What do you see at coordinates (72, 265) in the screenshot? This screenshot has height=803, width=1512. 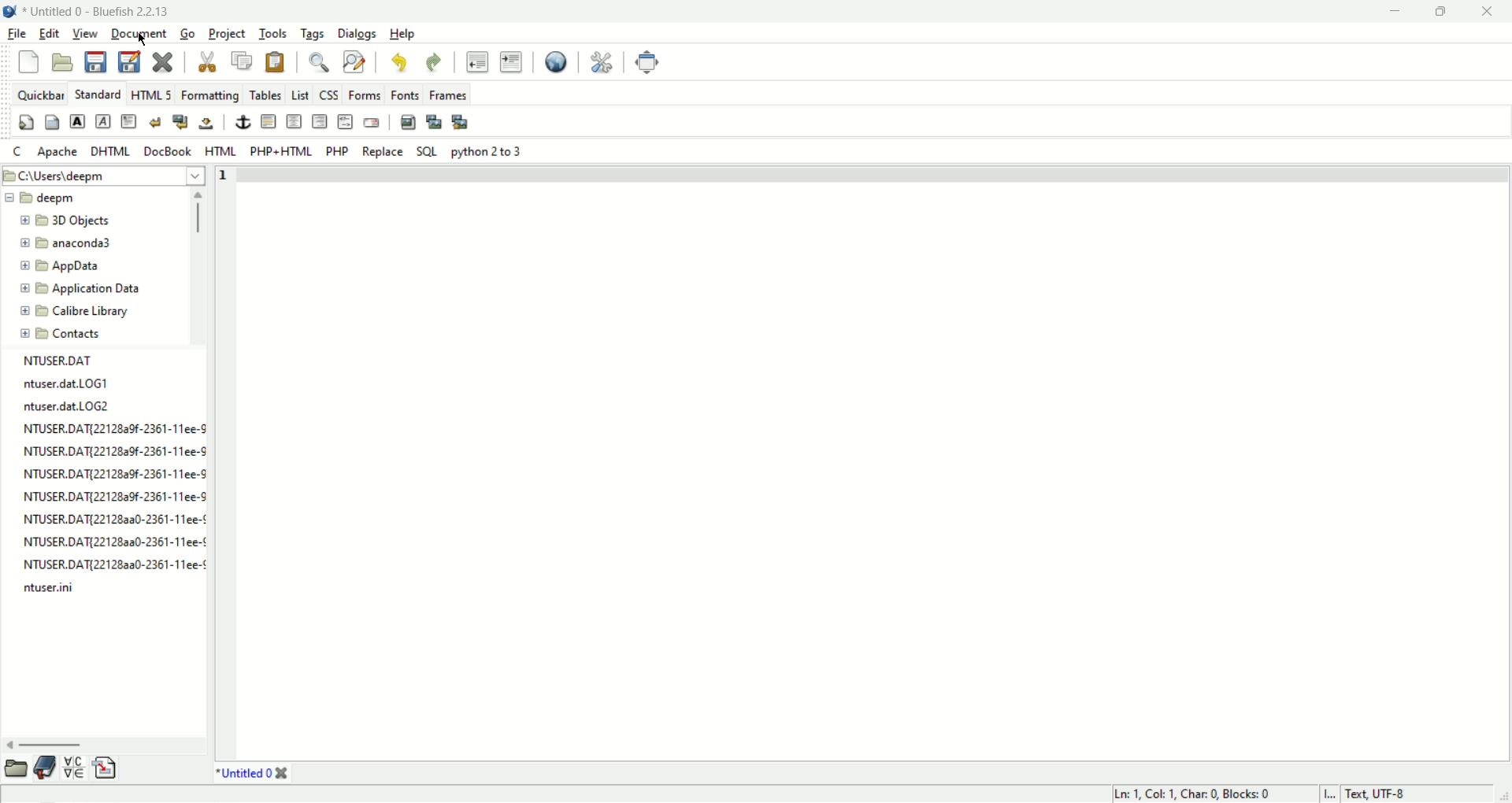 I see `folder name` at bounding box center [72, 265].